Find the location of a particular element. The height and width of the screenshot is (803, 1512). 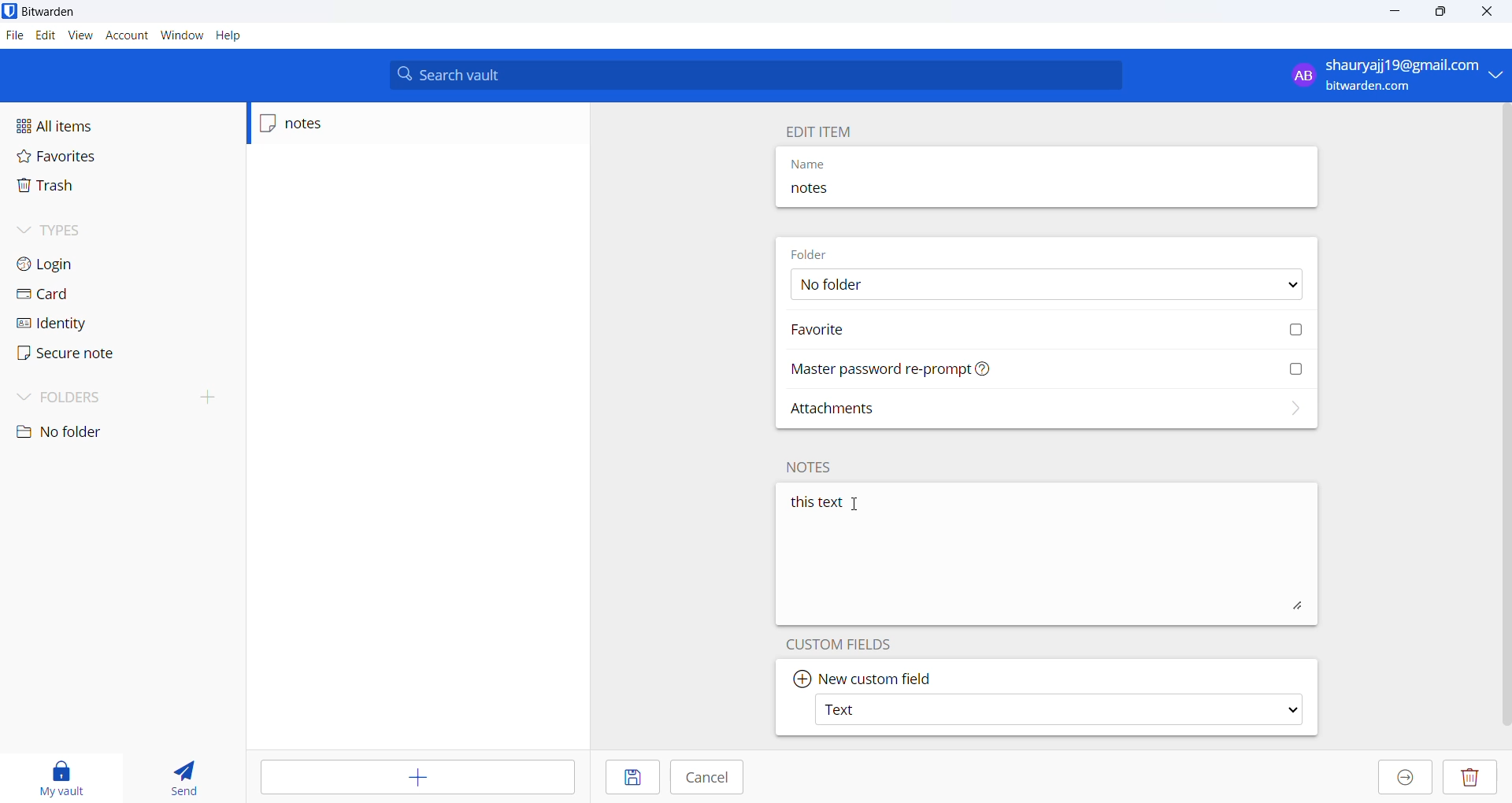

new custom field is located at coordinates (877, 677).